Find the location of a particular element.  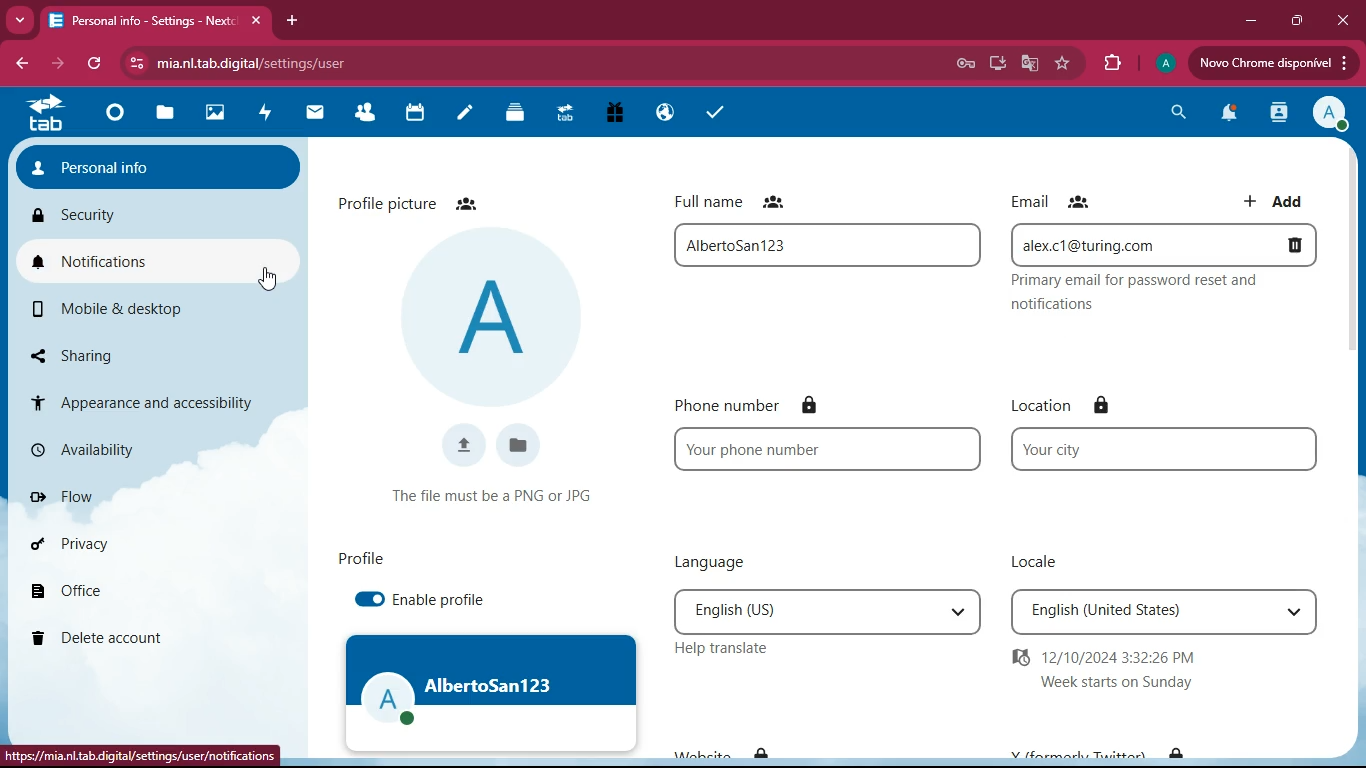

enable is located at coordinates (372, 603).